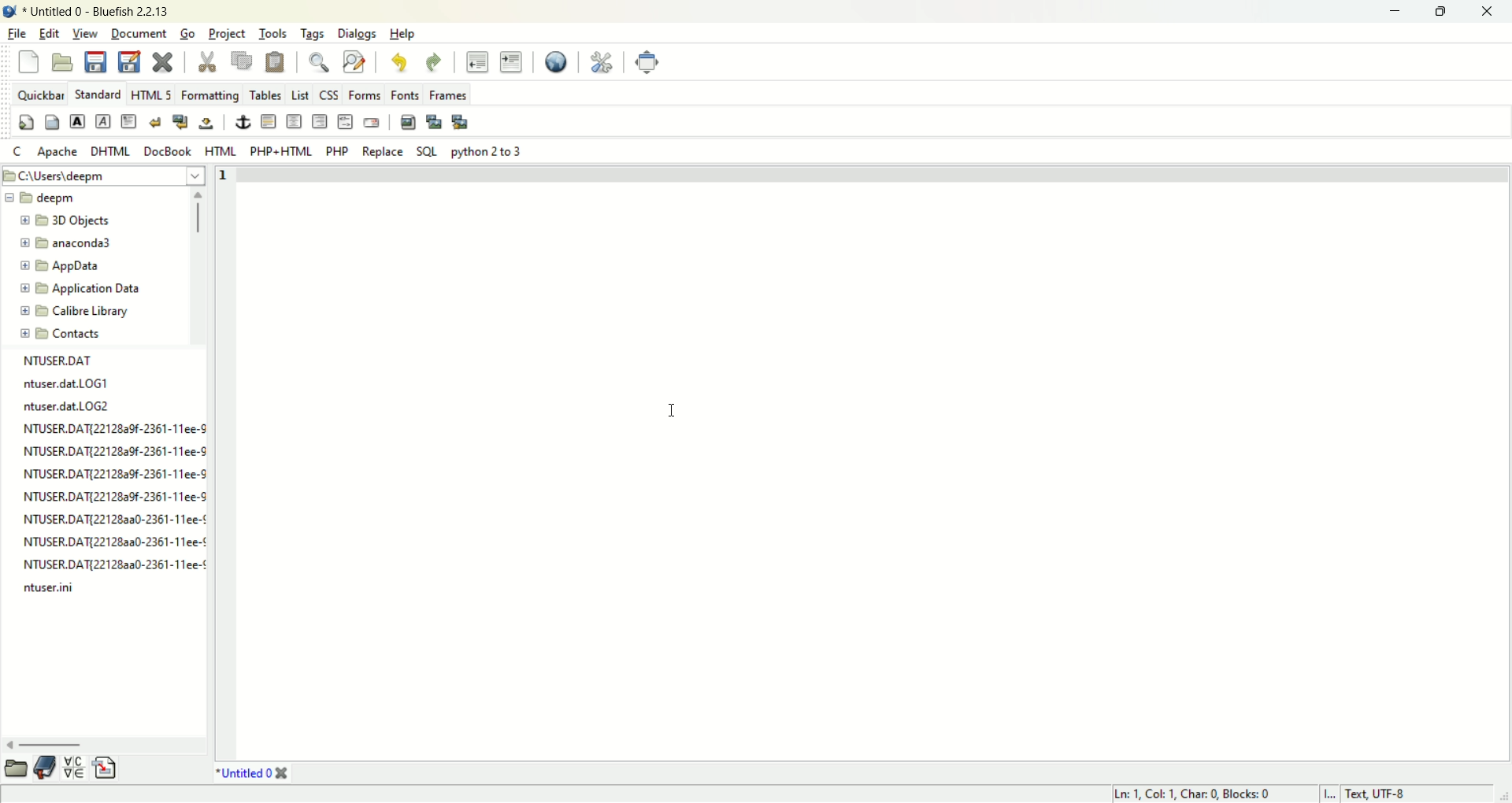 The height and width of the screenshot is (803, 1512). What do you see at coordinates (130, 122) in the screenshot?
I see `paragraph` at bounding box center [130, 122].